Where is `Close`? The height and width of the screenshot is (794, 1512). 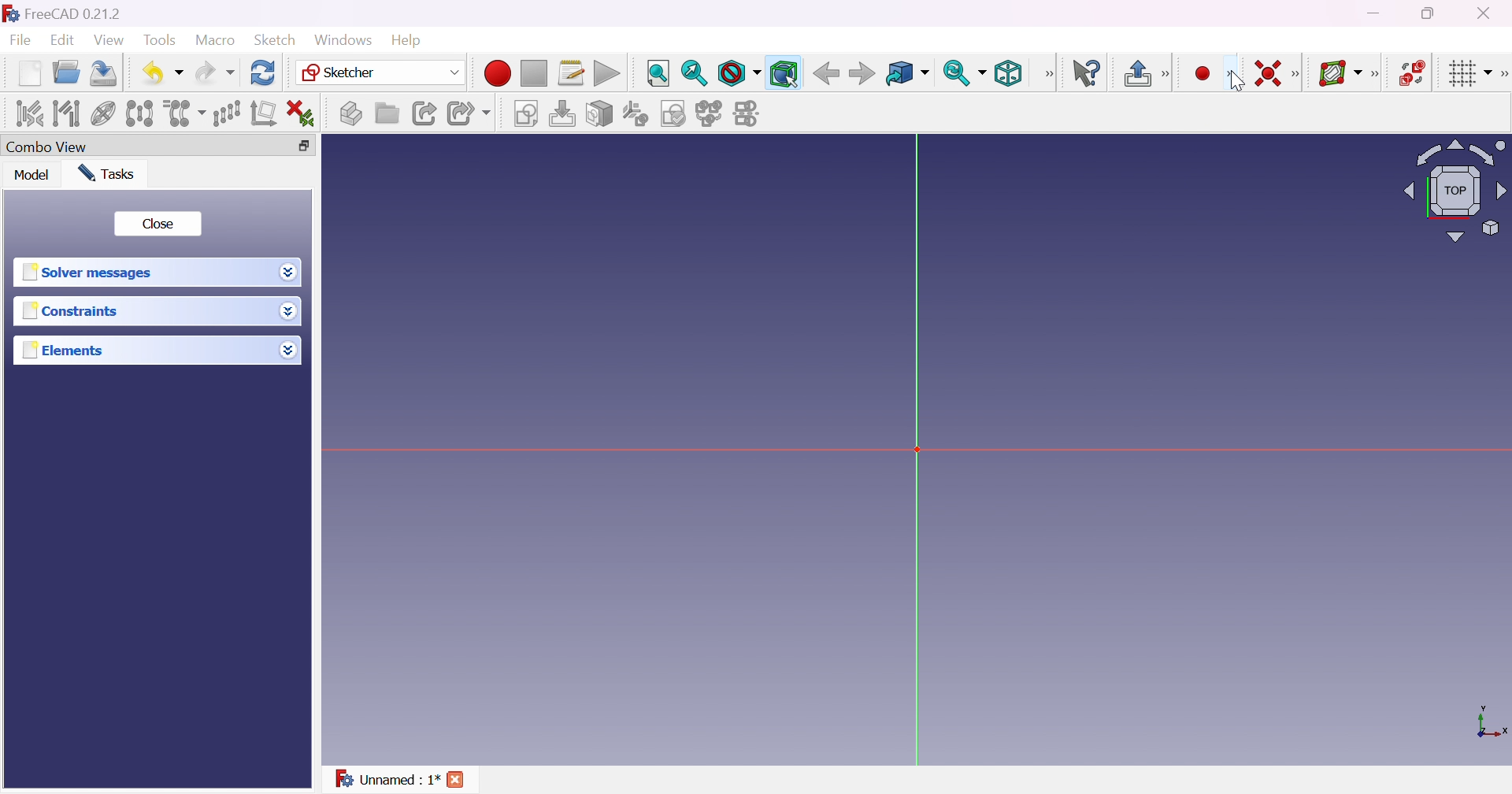
Close is located at coordinates (158, 225).